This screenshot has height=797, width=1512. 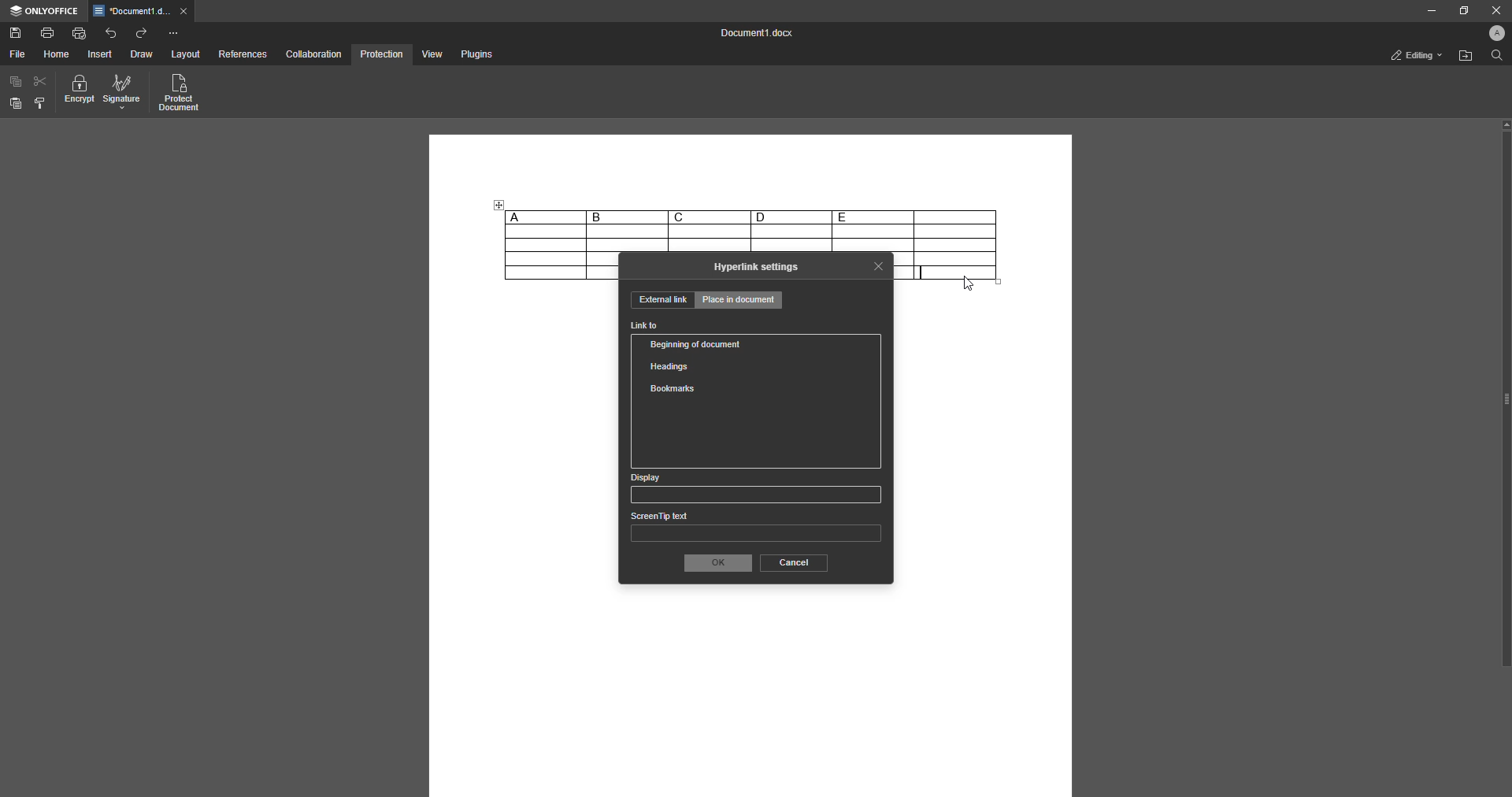 I want to click on Tab 1, so click(x=143, y=12).